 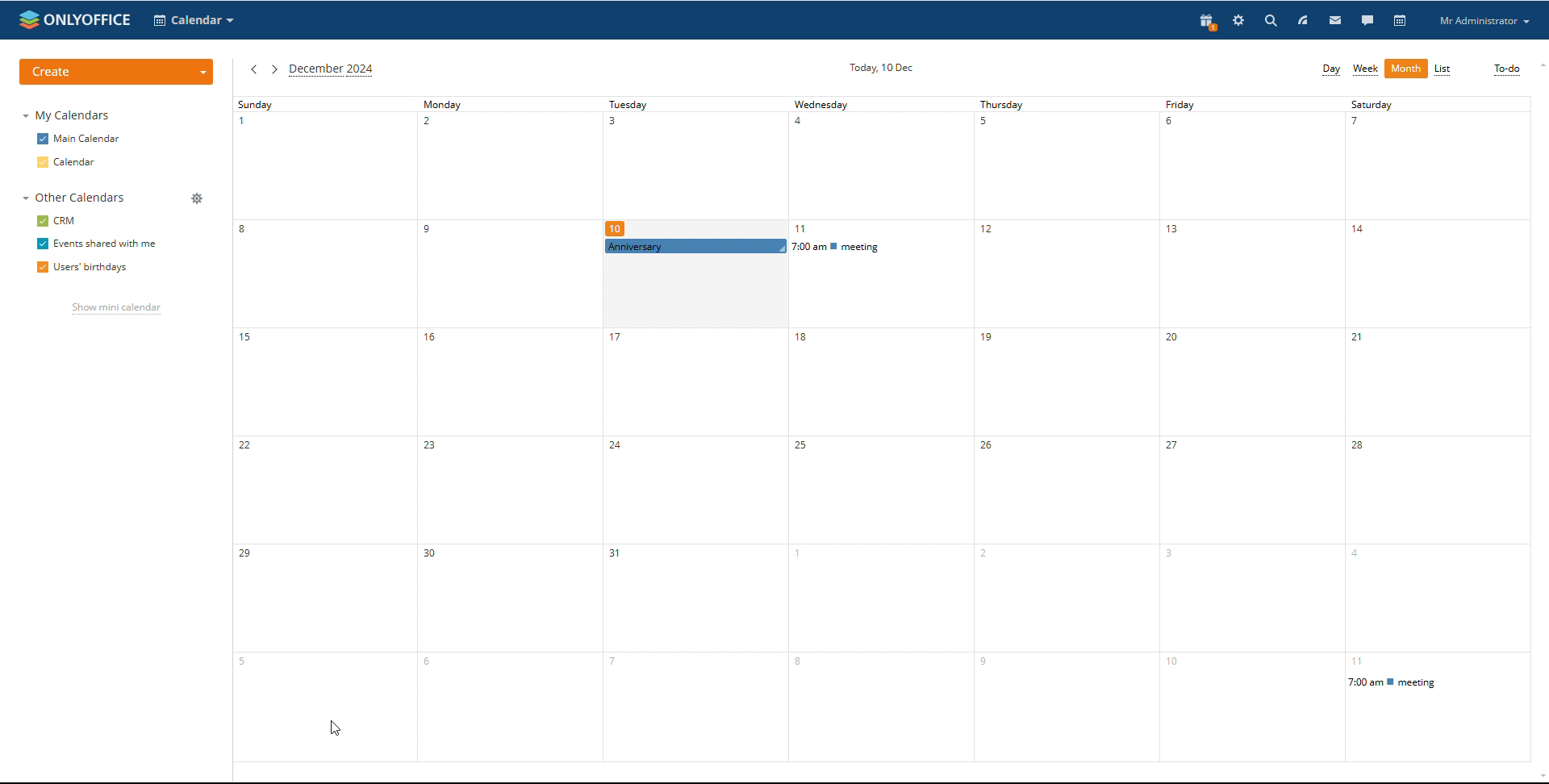 What do you see at coordinates (1208, 21) in the screenshot?
I see `present` at bounding box center [1208, 21].